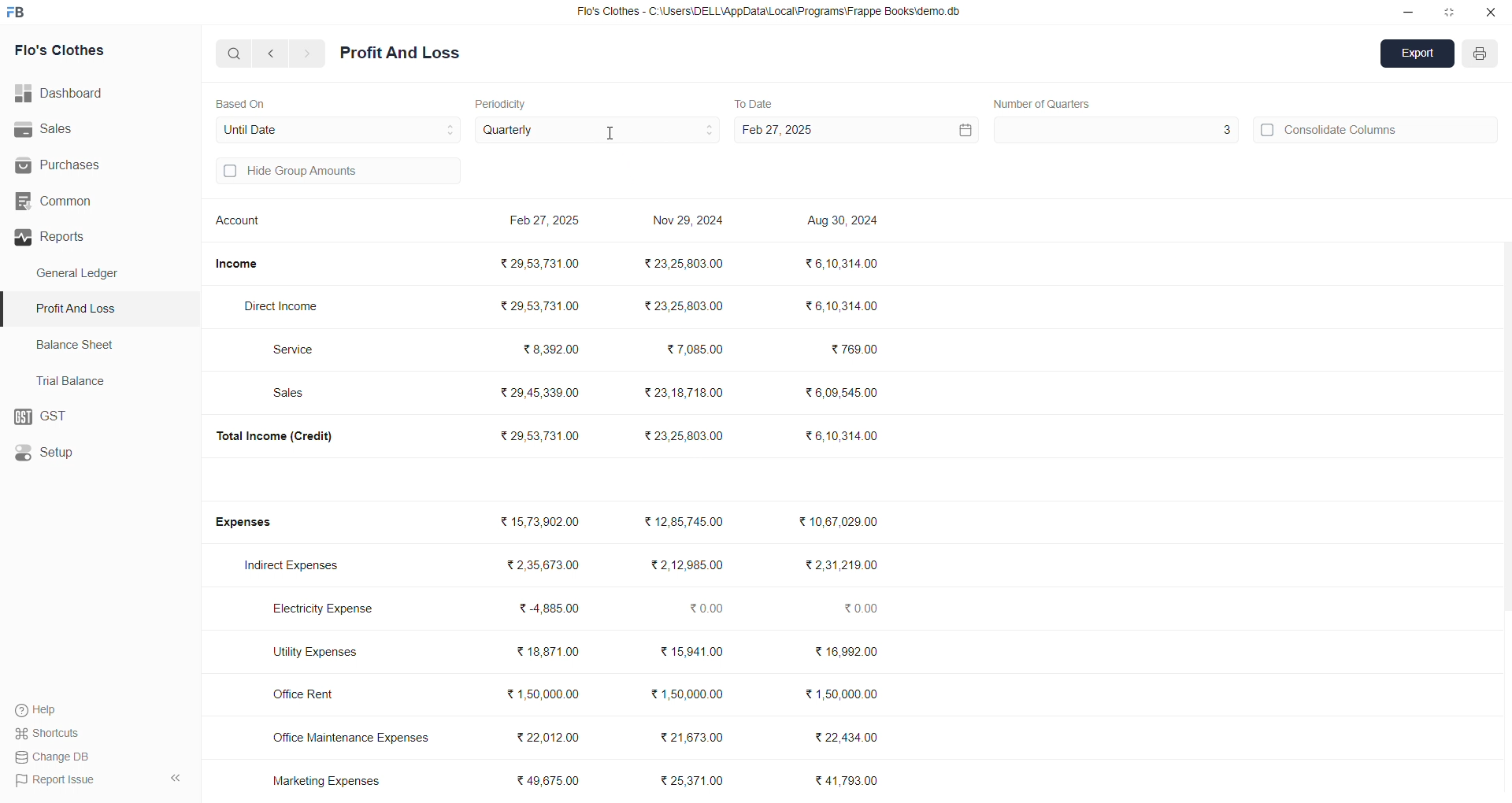 The image size is (1512, 803). I want to click on ₹6,10,314.00, so click(839, 262).